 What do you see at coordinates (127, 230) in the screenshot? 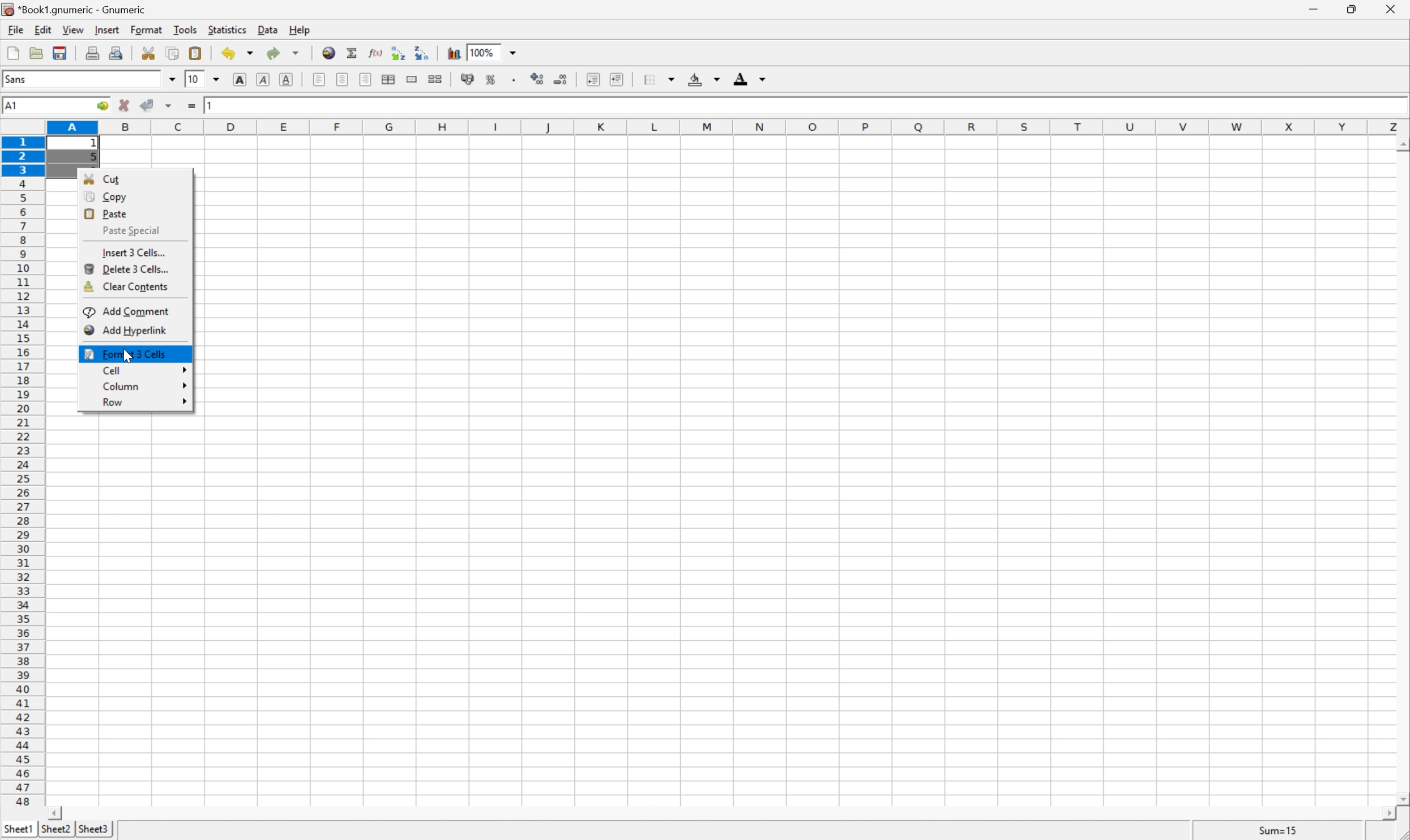
I see `paste special` at bounding box center [127, 230].